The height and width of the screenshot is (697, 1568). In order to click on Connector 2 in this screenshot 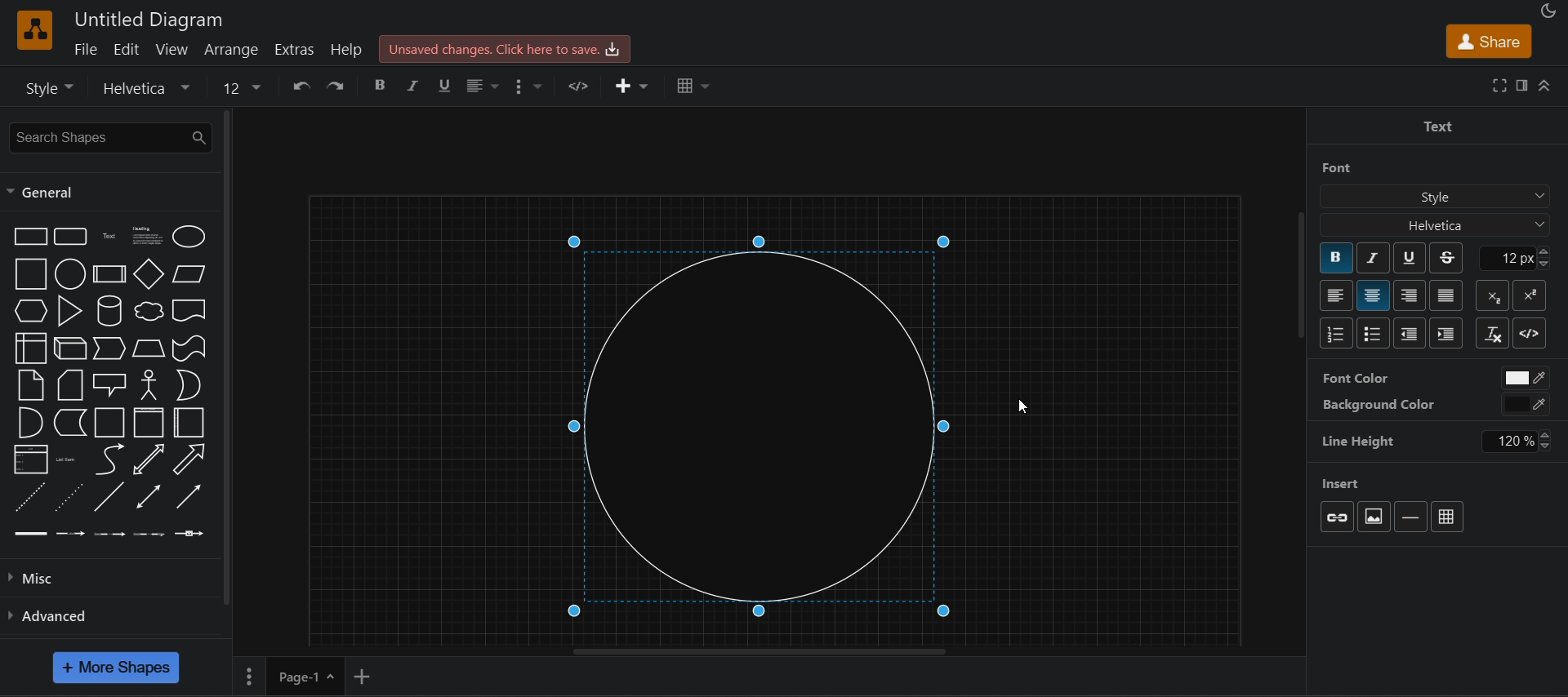, I will do `click(71, 534)`.